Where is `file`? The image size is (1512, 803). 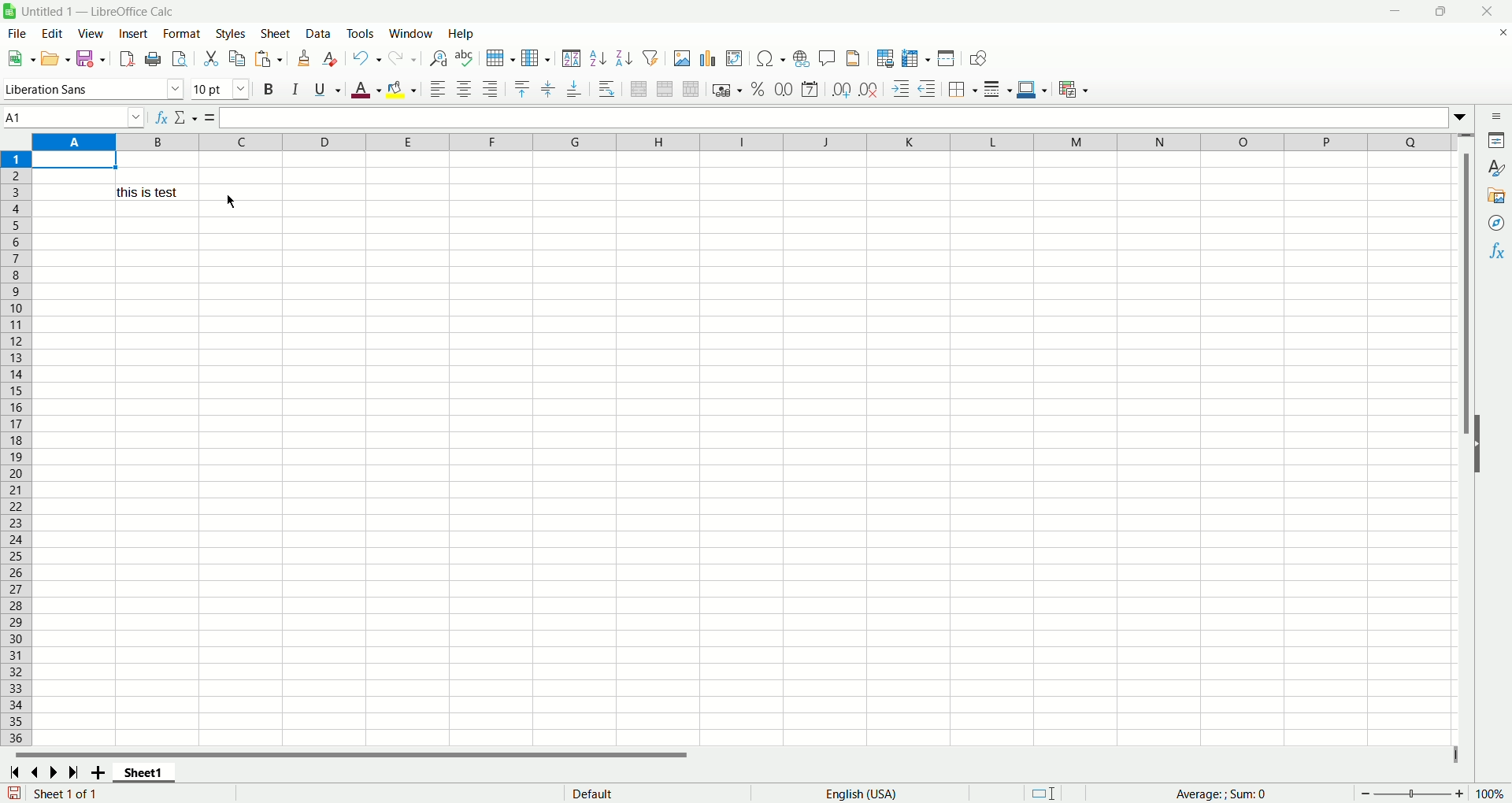
file is located at coordinates (19, 34).